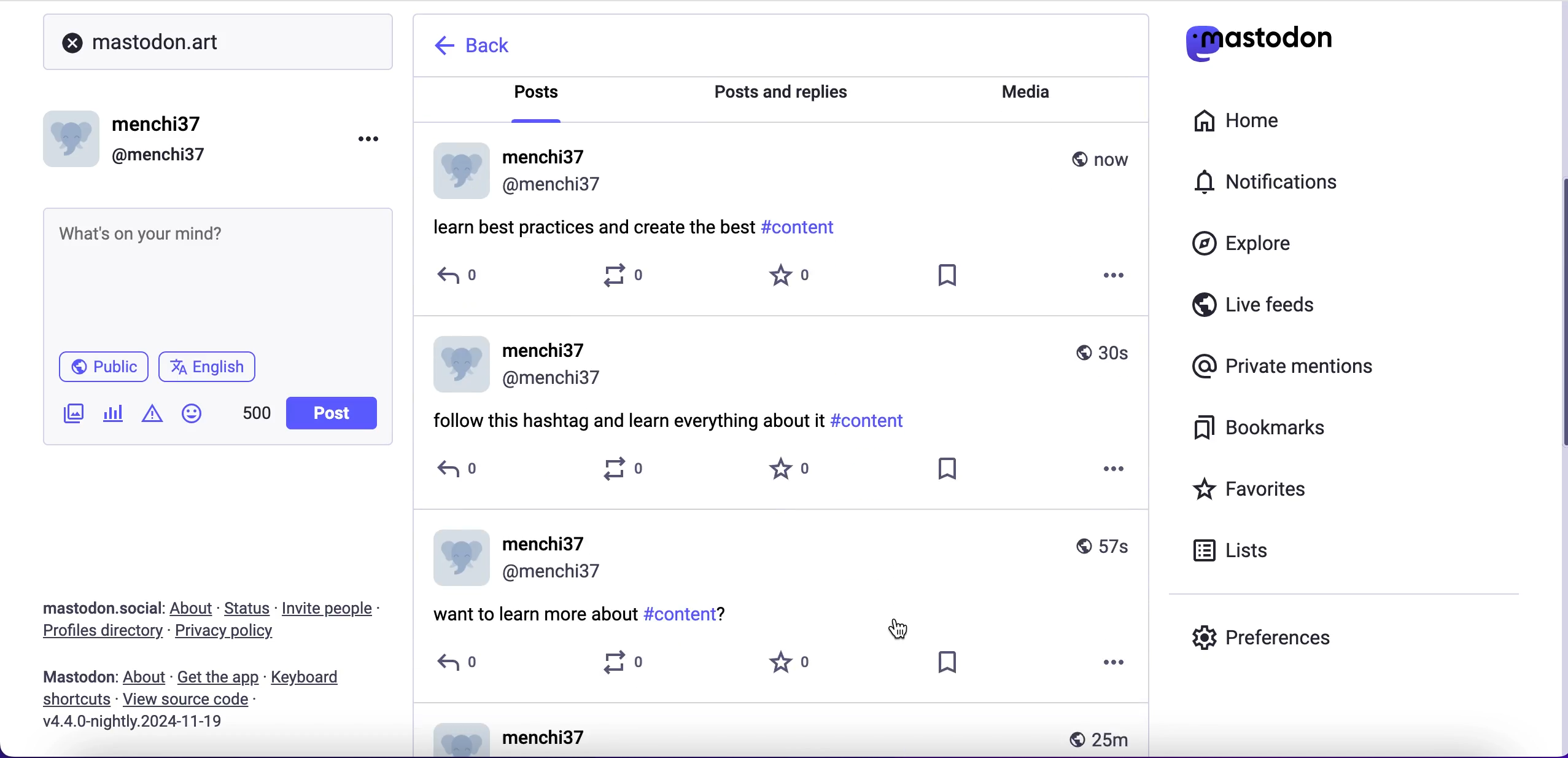 This screenshot has width=1568, height=758. Describe the element at coordinates (1101, 737) in the screenshot. I see `25 m ago` at that location.